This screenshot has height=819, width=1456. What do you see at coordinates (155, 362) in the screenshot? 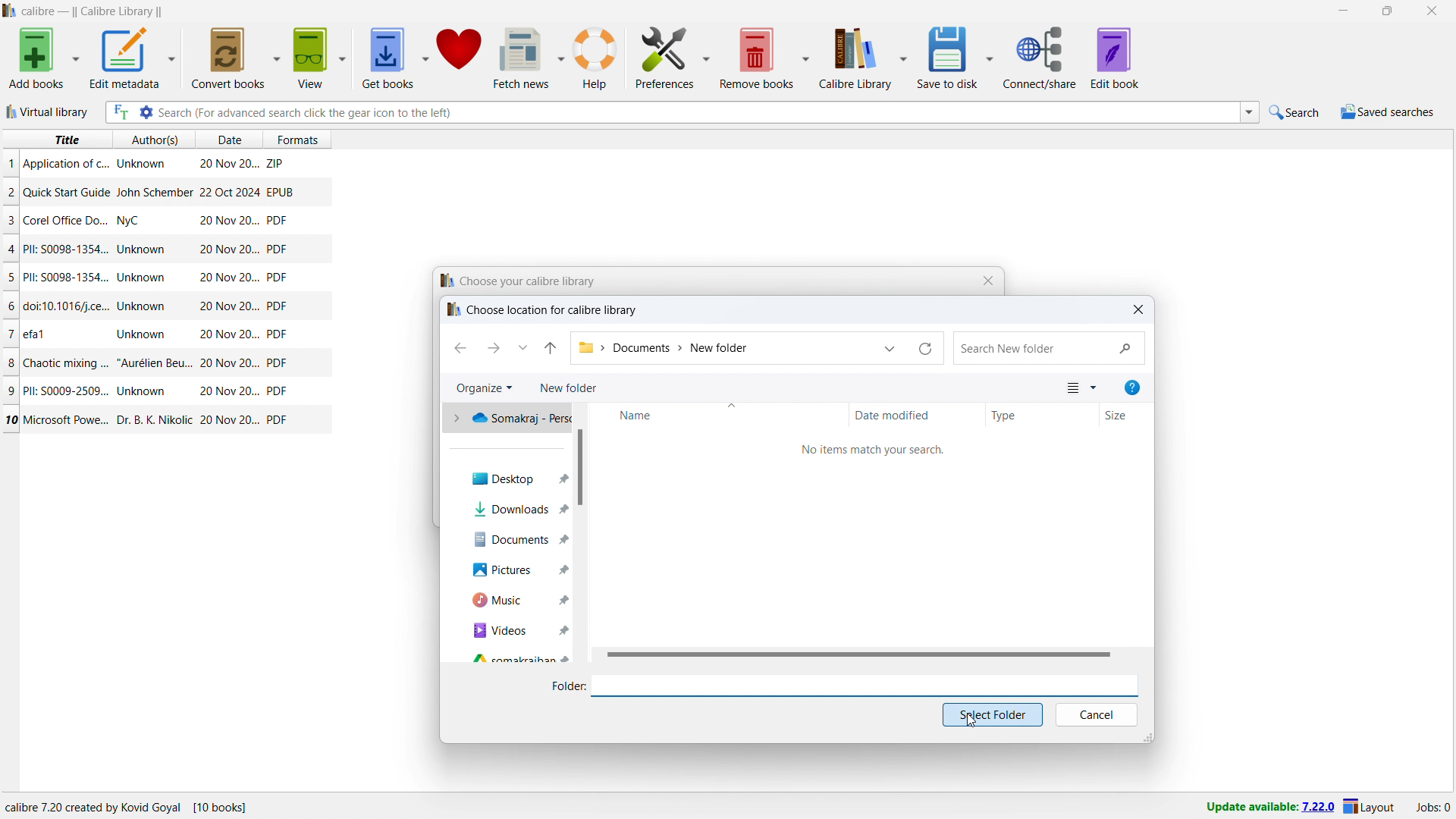
I see `Author` at bounding box center [155, 362].